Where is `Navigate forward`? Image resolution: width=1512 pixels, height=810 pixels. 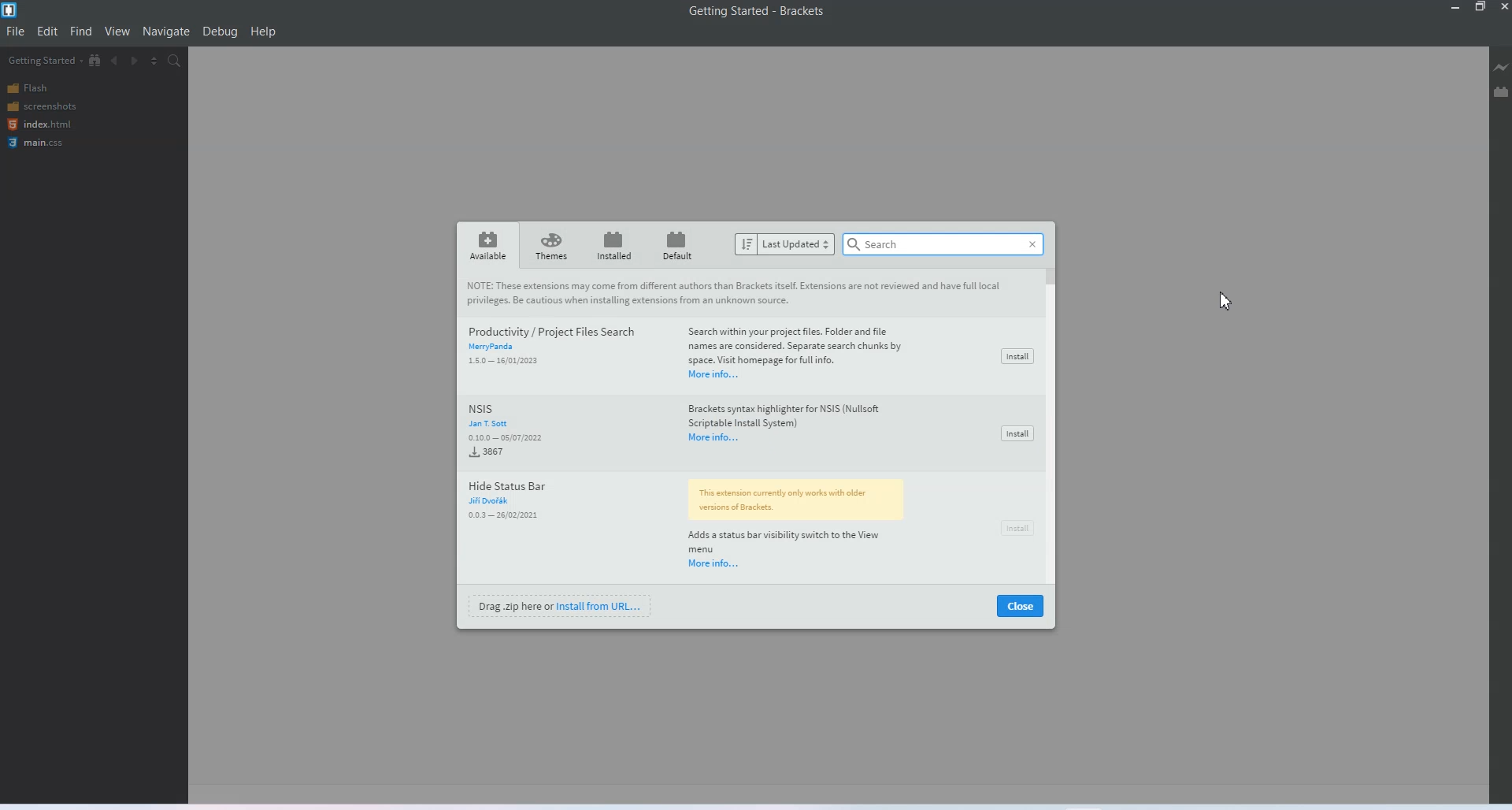 Navigate forward is located at coordinates (135, 60).